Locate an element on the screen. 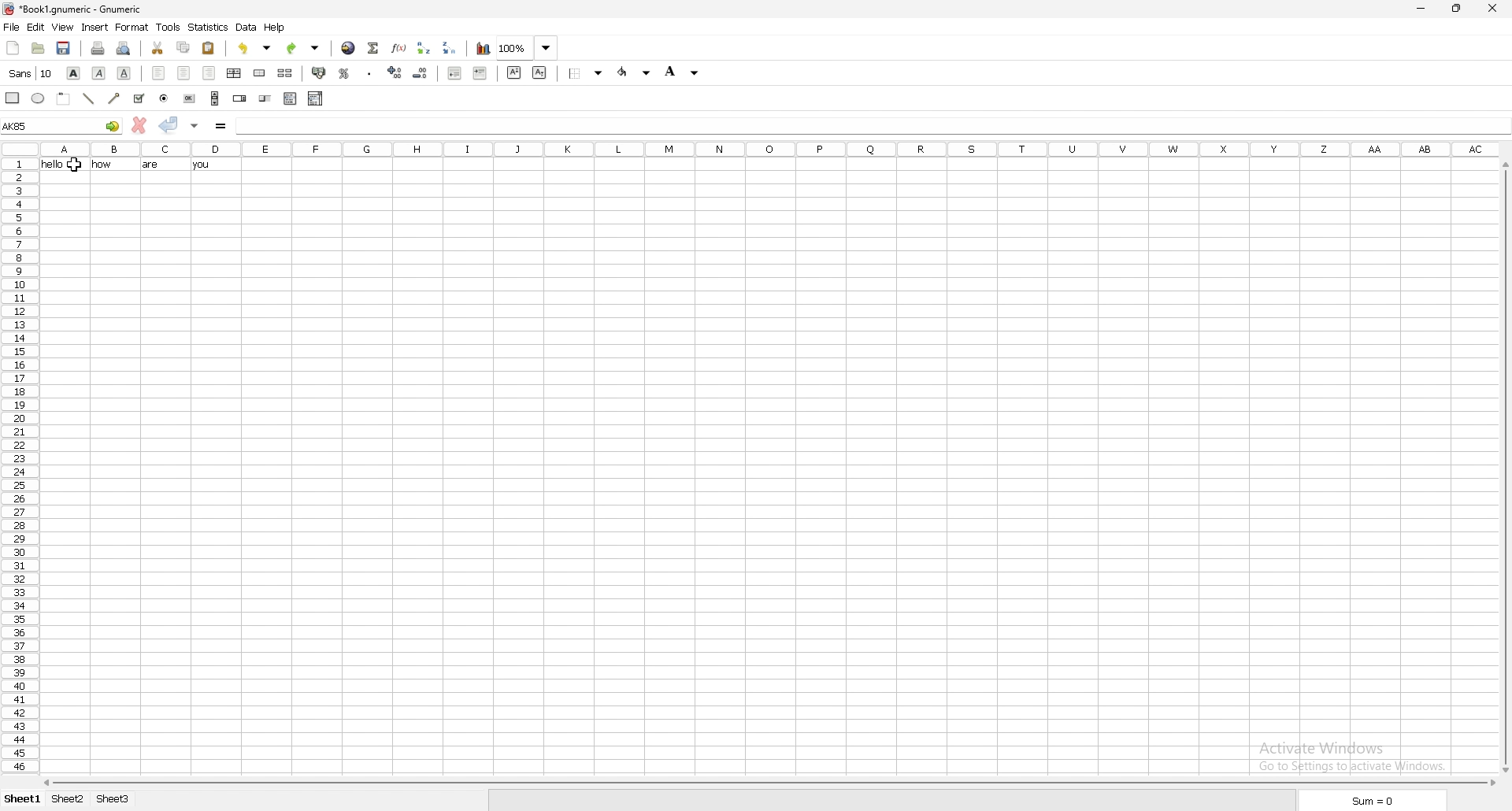 This screenshot has height=811, width=1512. scroll bar is located at coordinates (1504, 466).